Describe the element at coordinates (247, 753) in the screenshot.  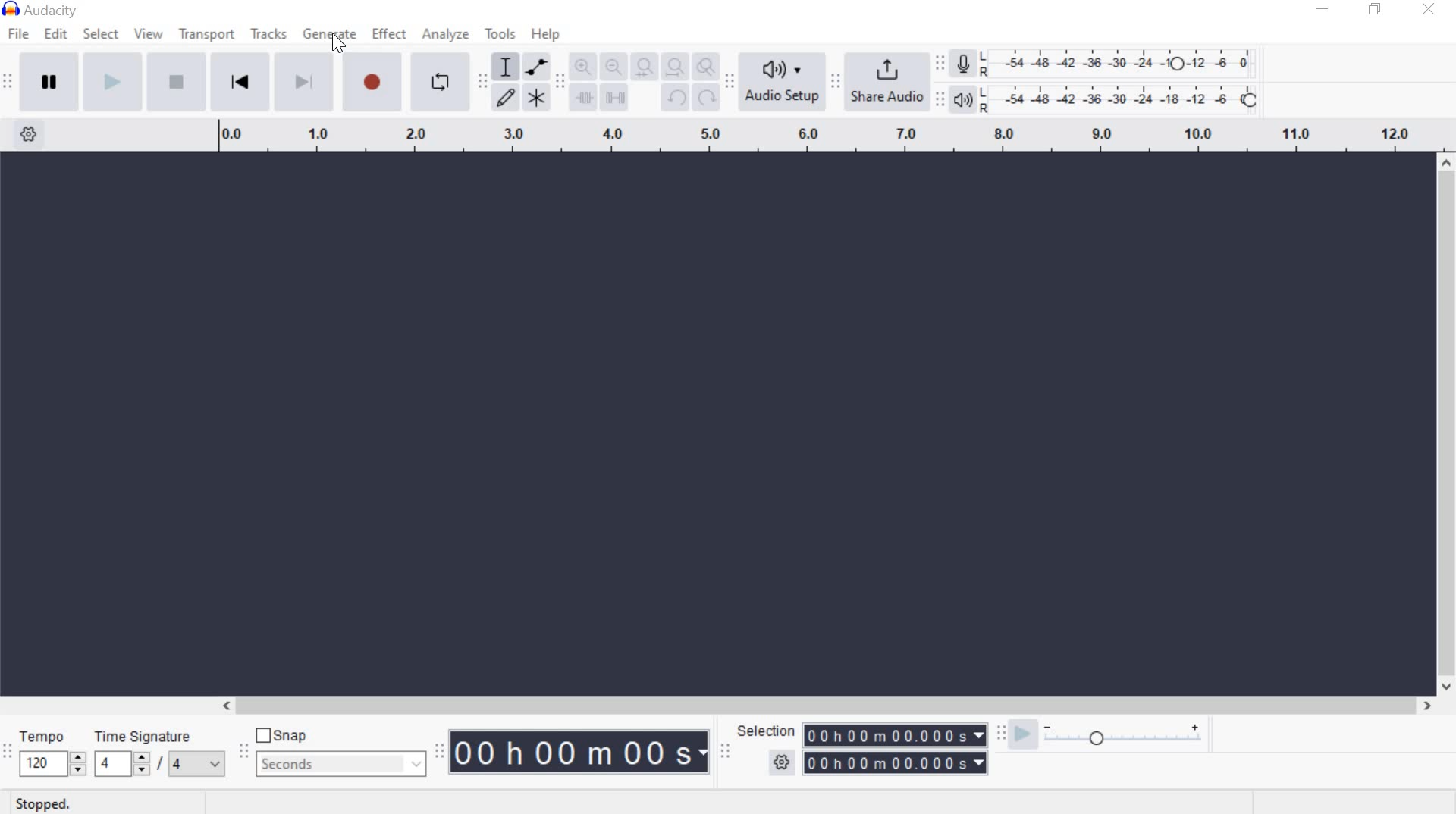
I see `Snapping toolbar` at that location.